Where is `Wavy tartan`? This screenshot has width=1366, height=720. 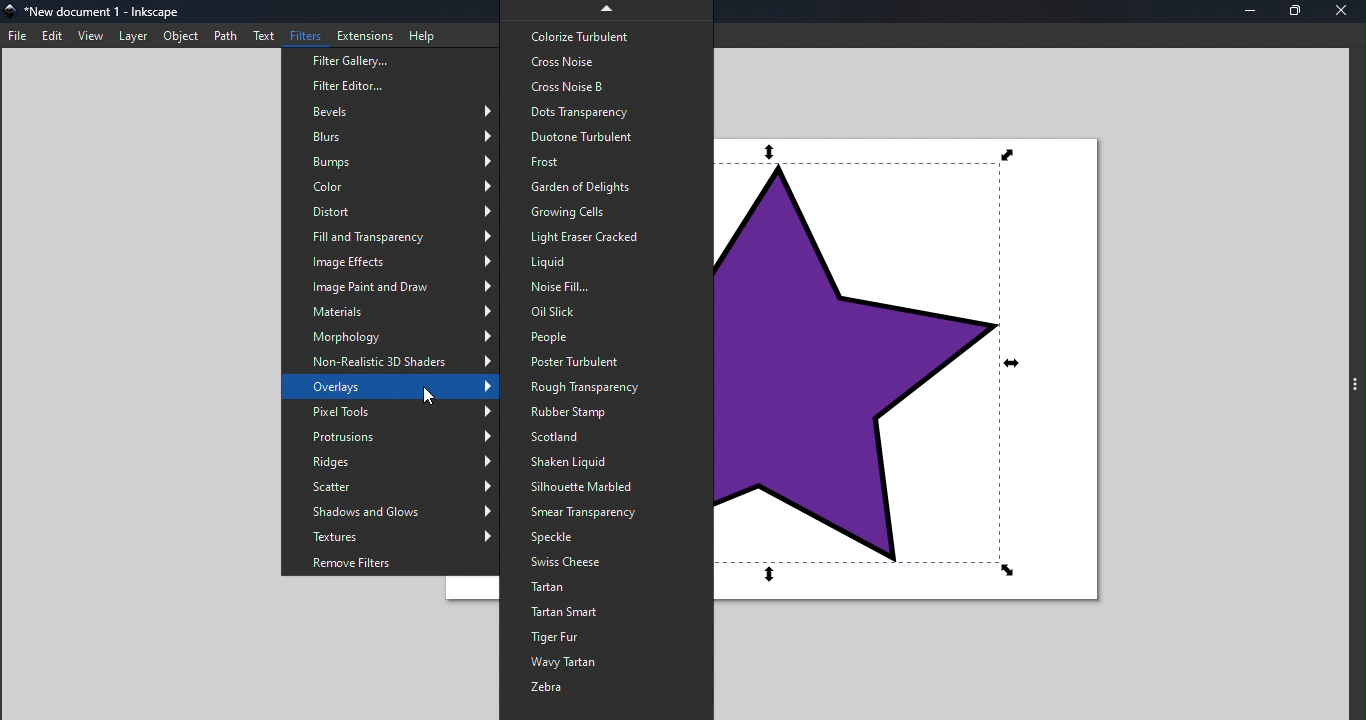
Wavy tartan is located at coordinates (607, 664).